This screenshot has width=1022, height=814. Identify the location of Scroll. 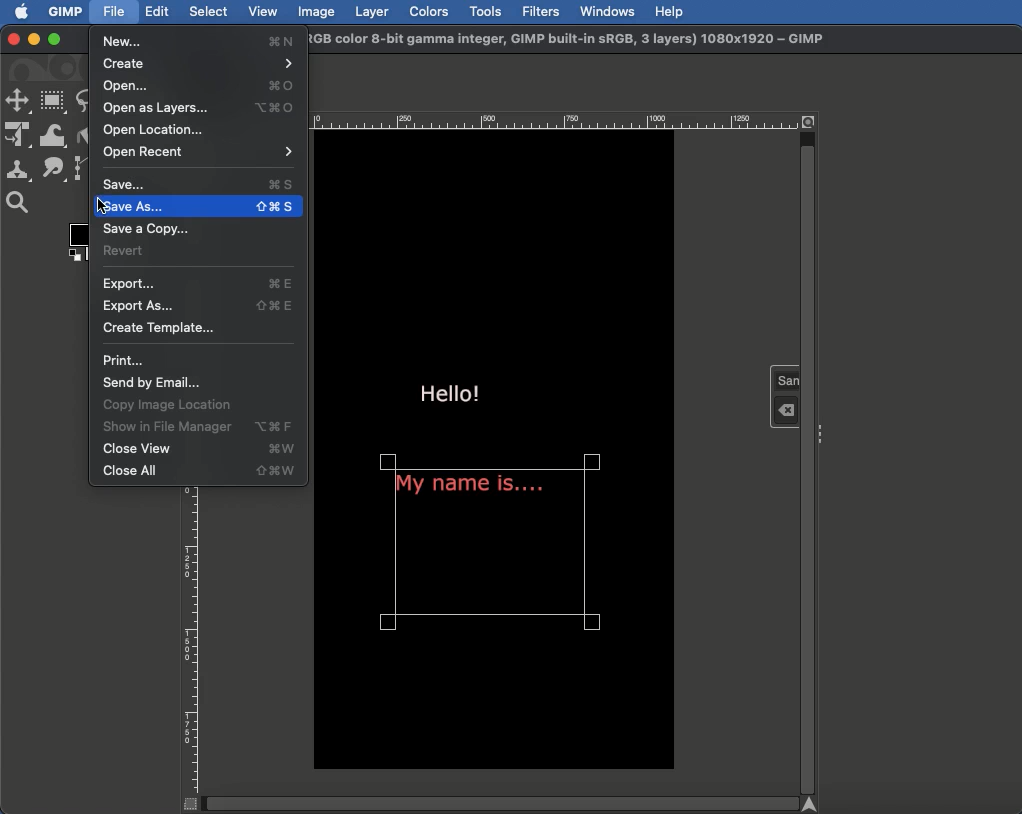
(807, 453).